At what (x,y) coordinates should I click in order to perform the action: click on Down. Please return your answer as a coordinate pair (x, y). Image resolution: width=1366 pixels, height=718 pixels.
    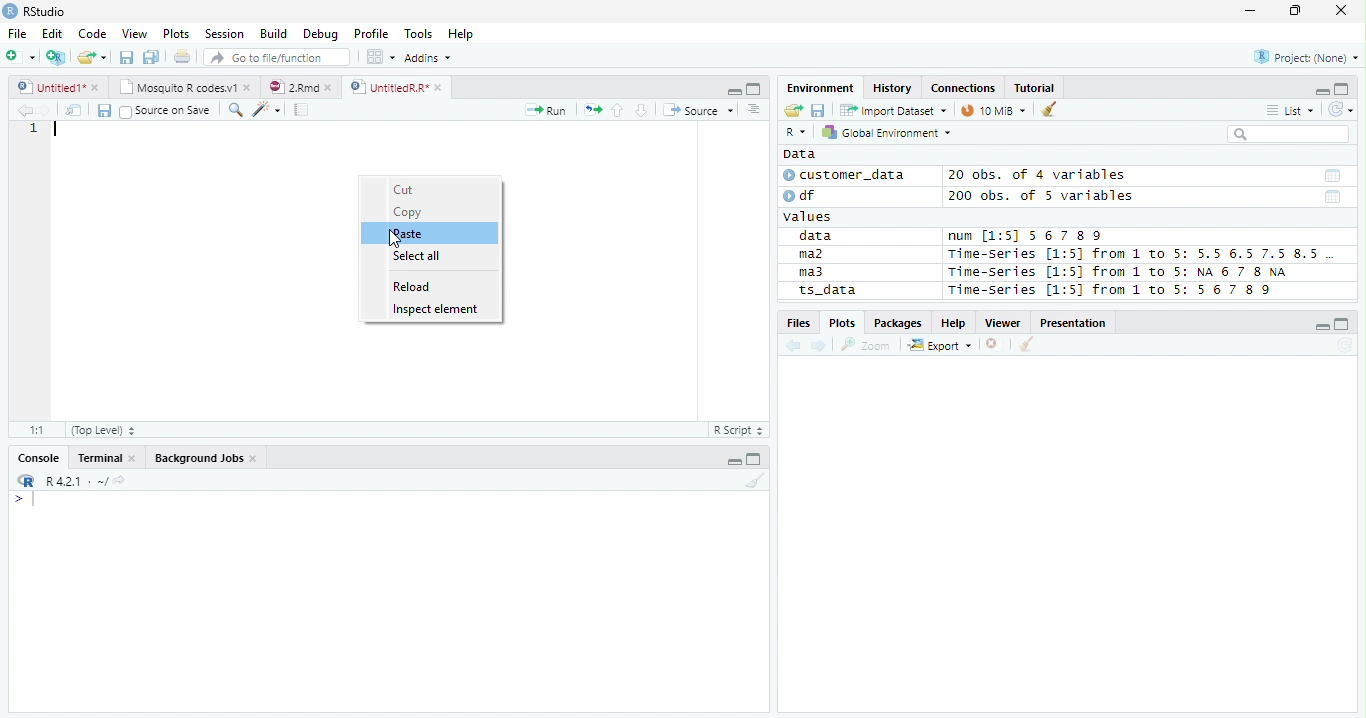
    Looking at the image, I should click on (641, 111).